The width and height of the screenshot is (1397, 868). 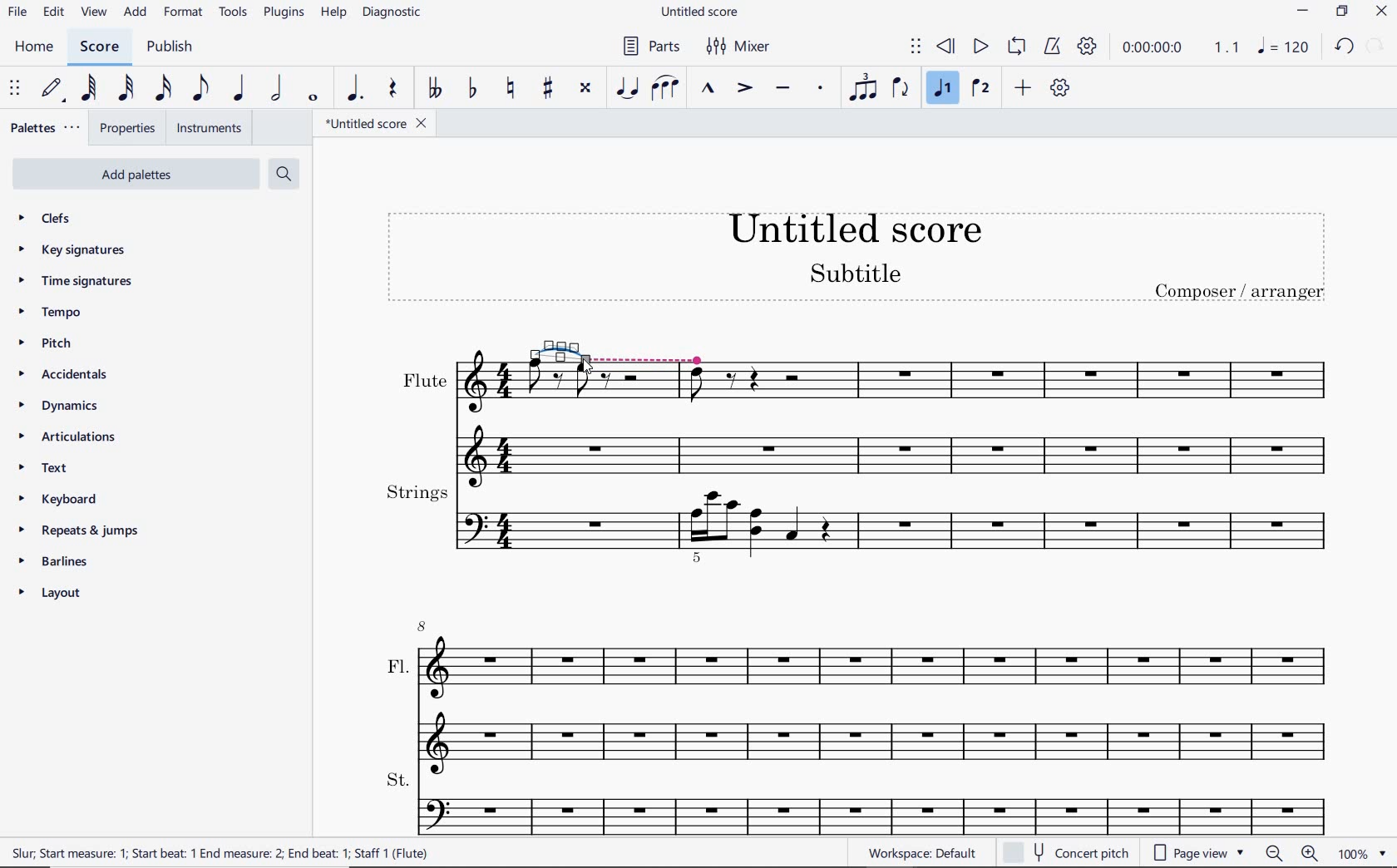 What do you see at coordinates (946, 46) in the screenshot?
I see `REWIND` at bounding box center [946, 46].